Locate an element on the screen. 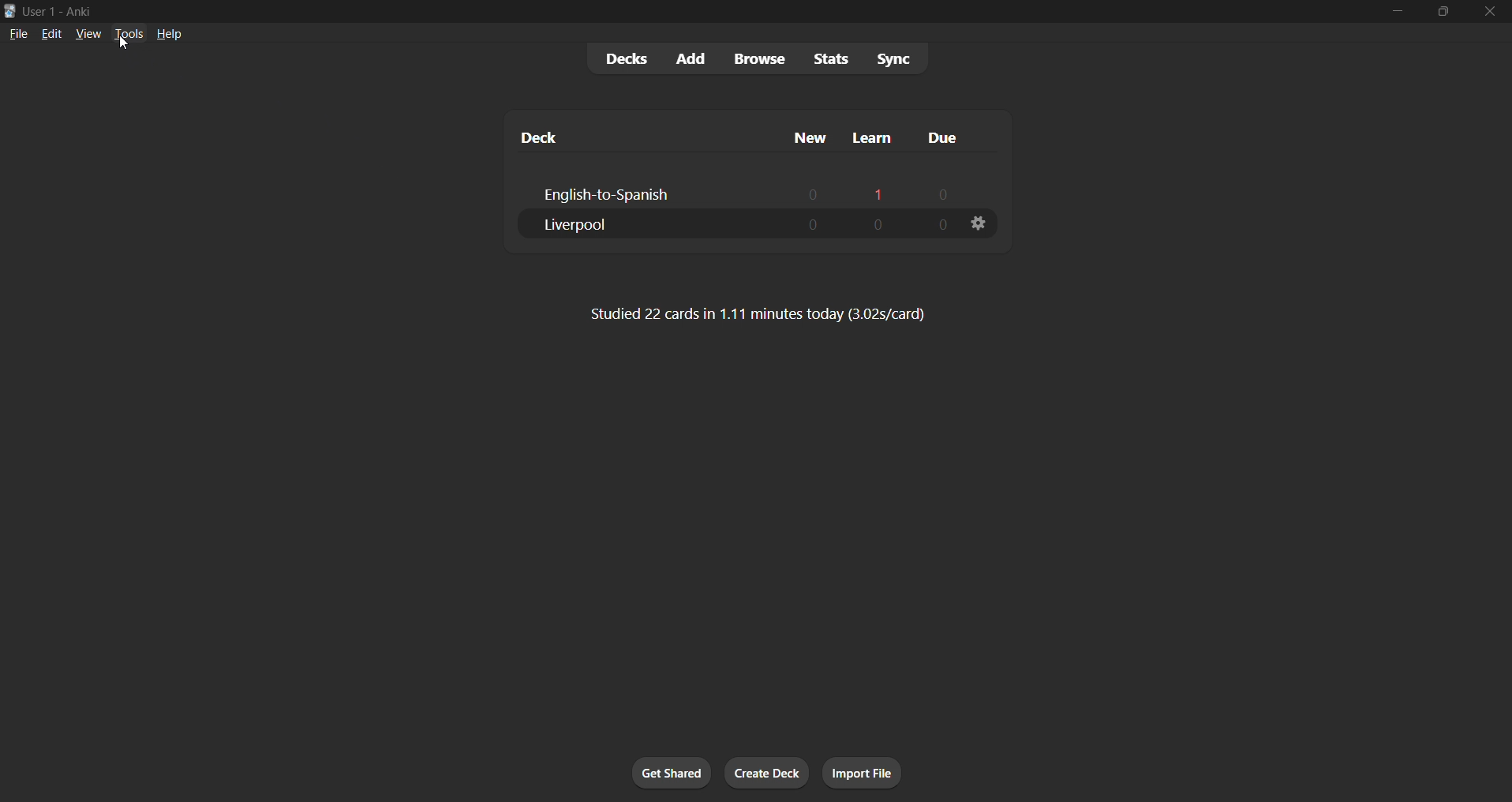  close is located at coordinates (1489, 12).